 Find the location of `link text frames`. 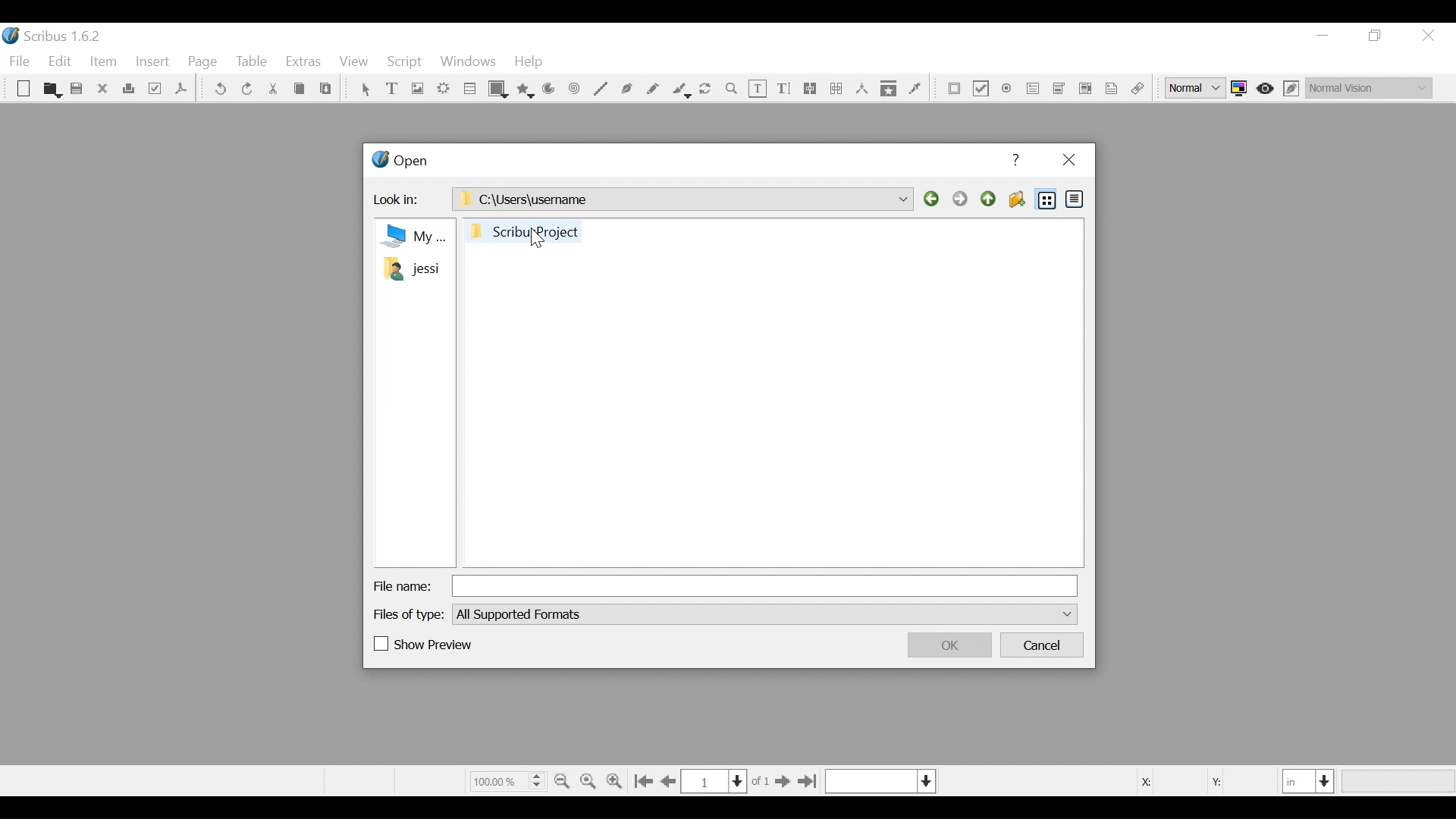

link text frames is located at coordinates (811, 89).